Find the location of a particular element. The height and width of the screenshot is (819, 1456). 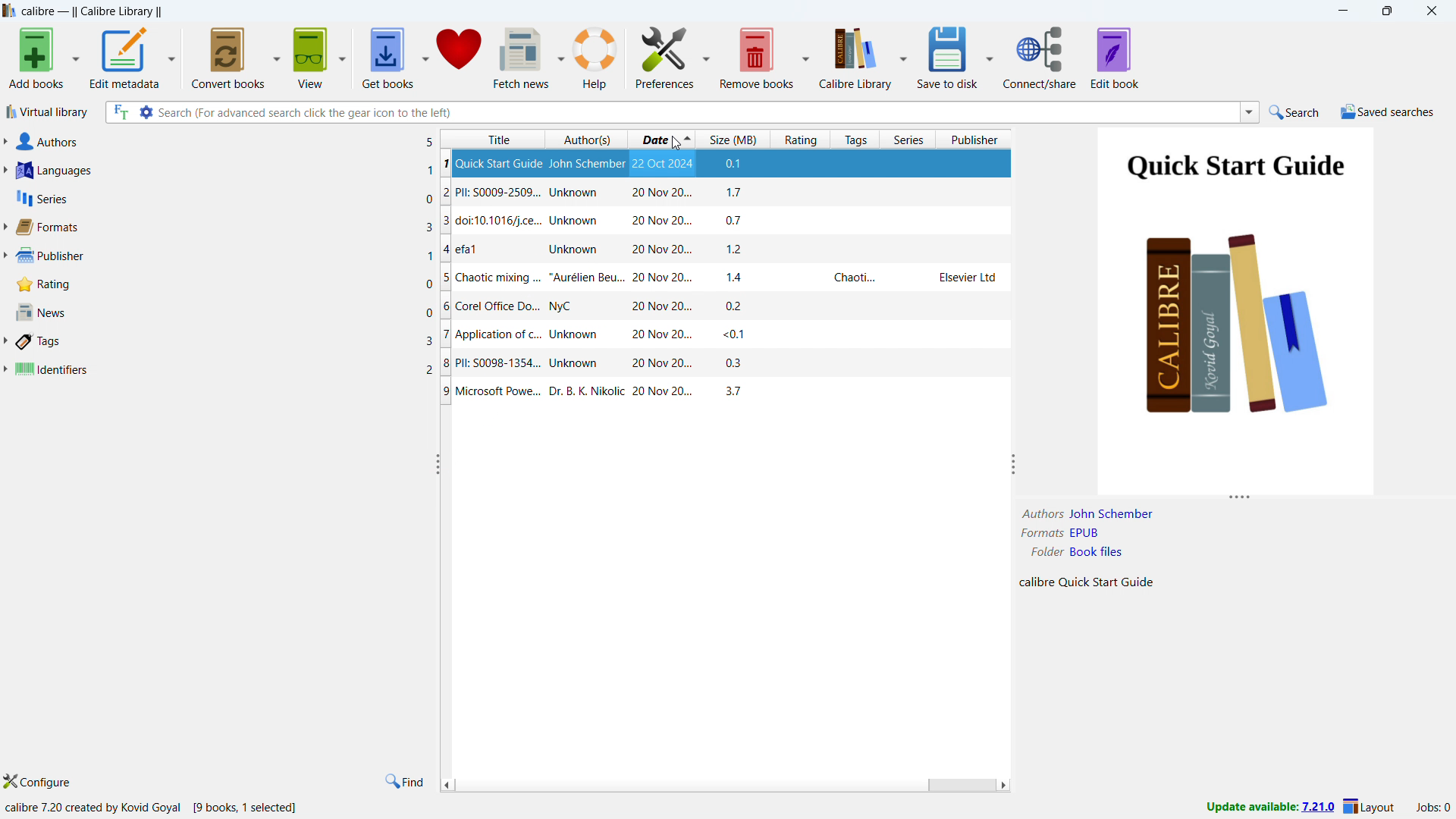

configure is located at coordinates (39, 782).